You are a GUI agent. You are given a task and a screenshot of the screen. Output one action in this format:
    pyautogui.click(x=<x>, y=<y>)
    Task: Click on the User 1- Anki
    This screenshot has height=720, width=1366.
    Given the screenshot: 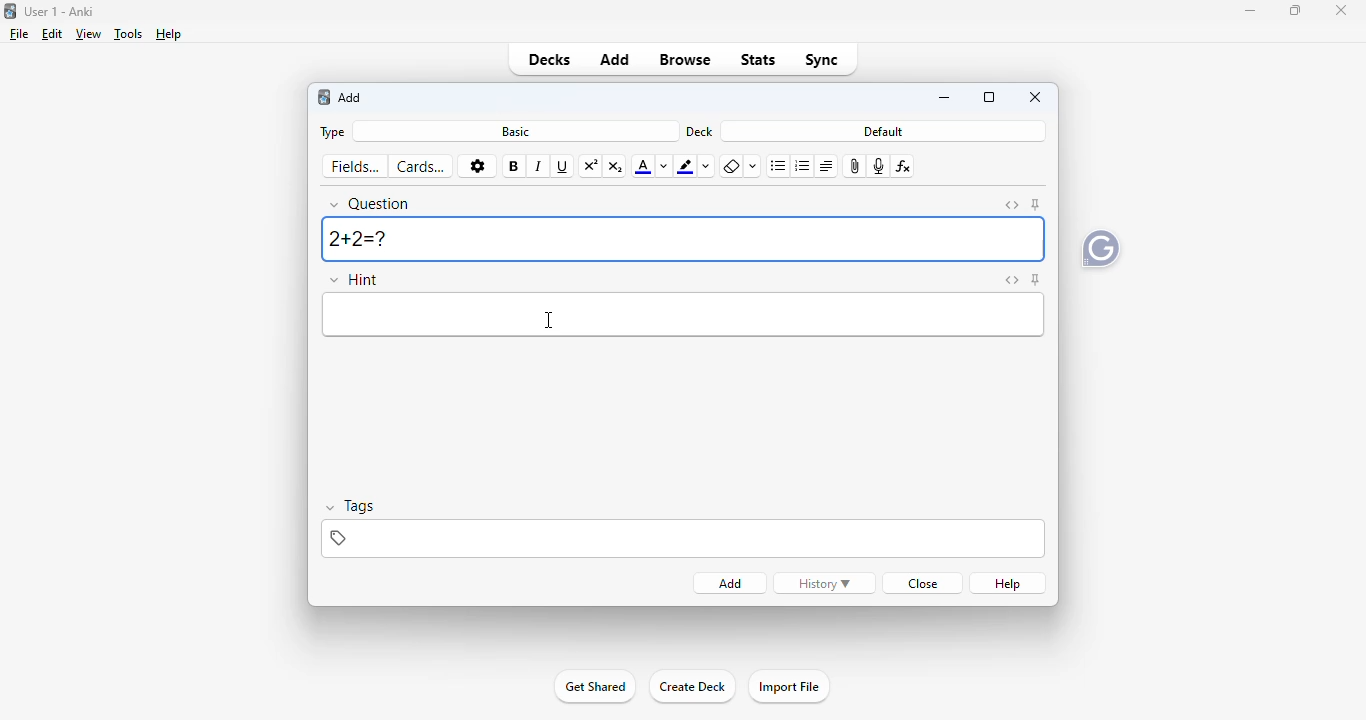 What is the action you would take?
    pyautogui.click(x=61, y=11)
    